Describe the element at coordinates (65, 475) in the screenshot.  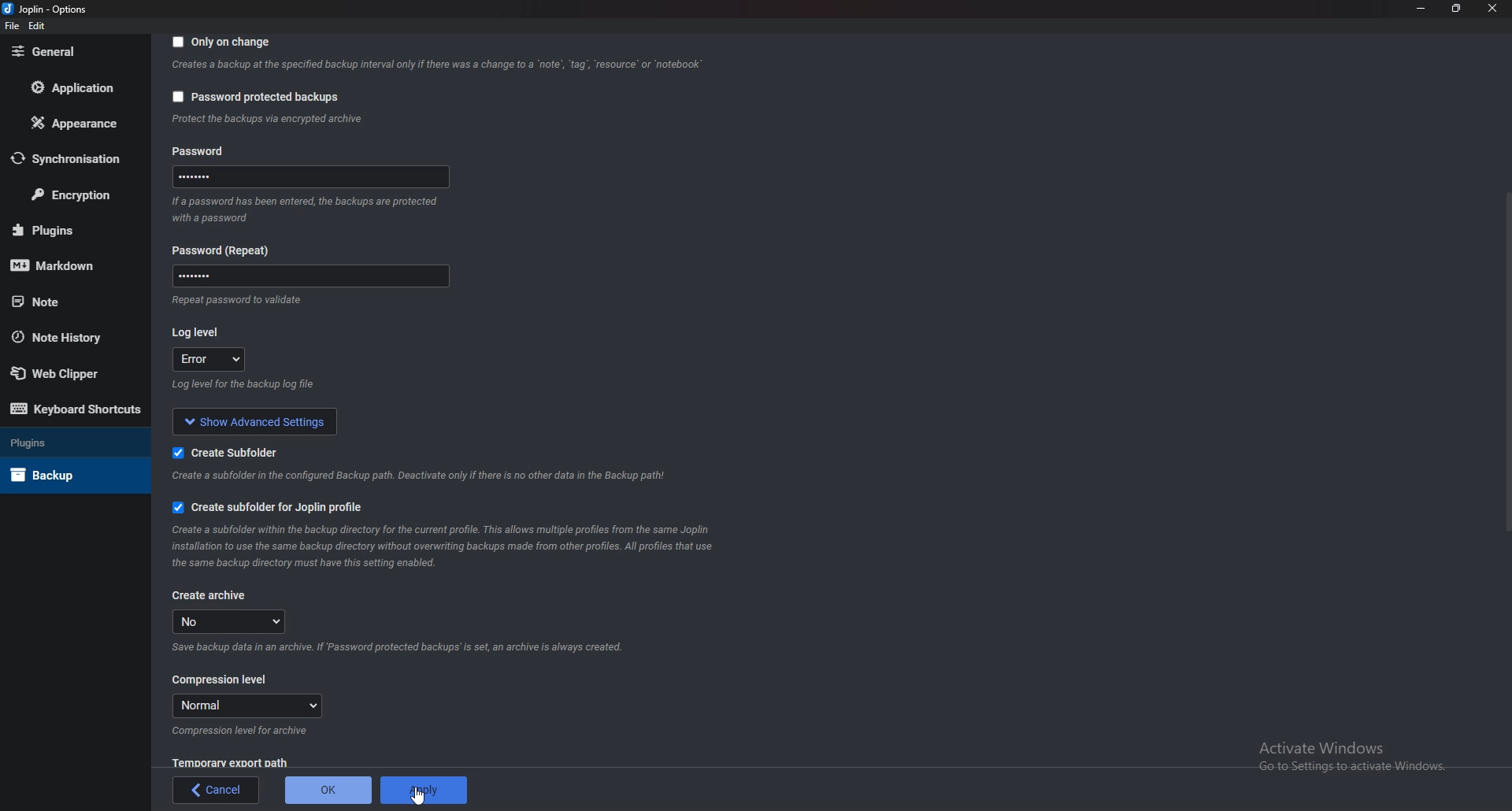
I see `Back up` at that location.